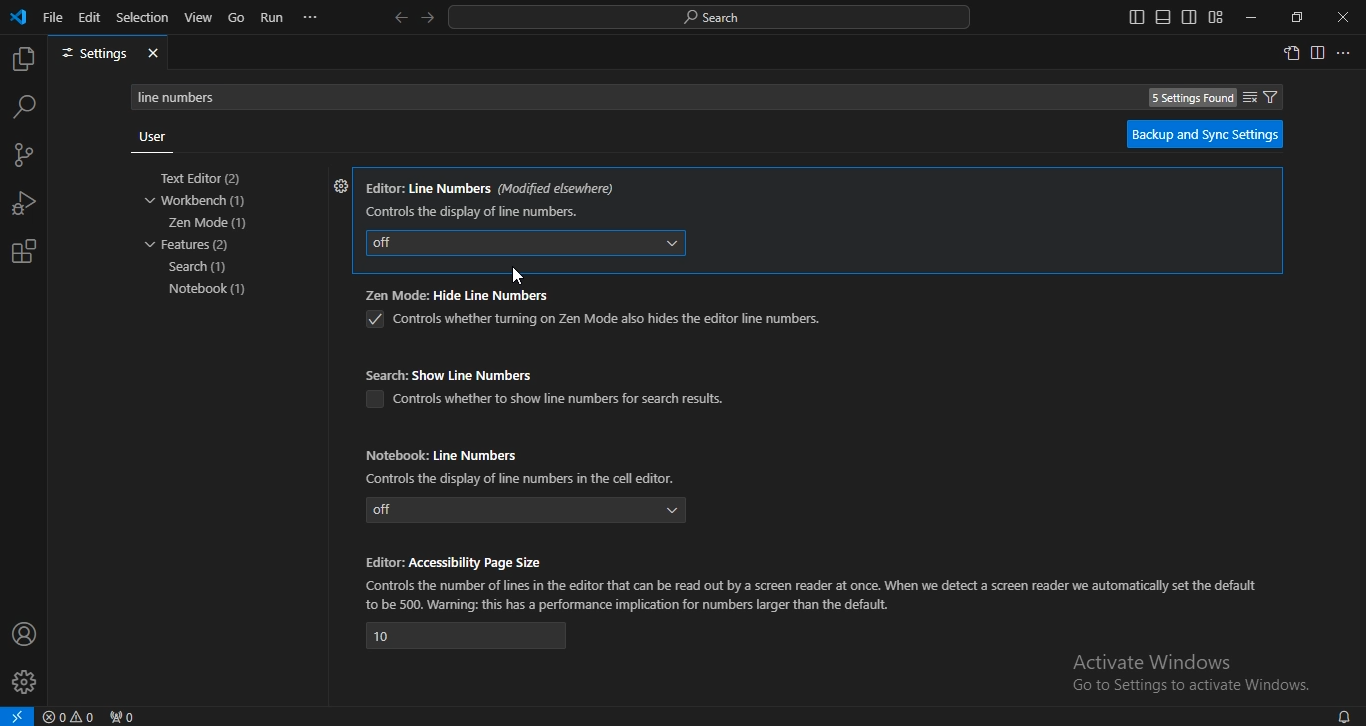 The image size is (1366, 726). Describe the element at coordinates (18, 17) in the screenshot. I see `VSCode` at that location.